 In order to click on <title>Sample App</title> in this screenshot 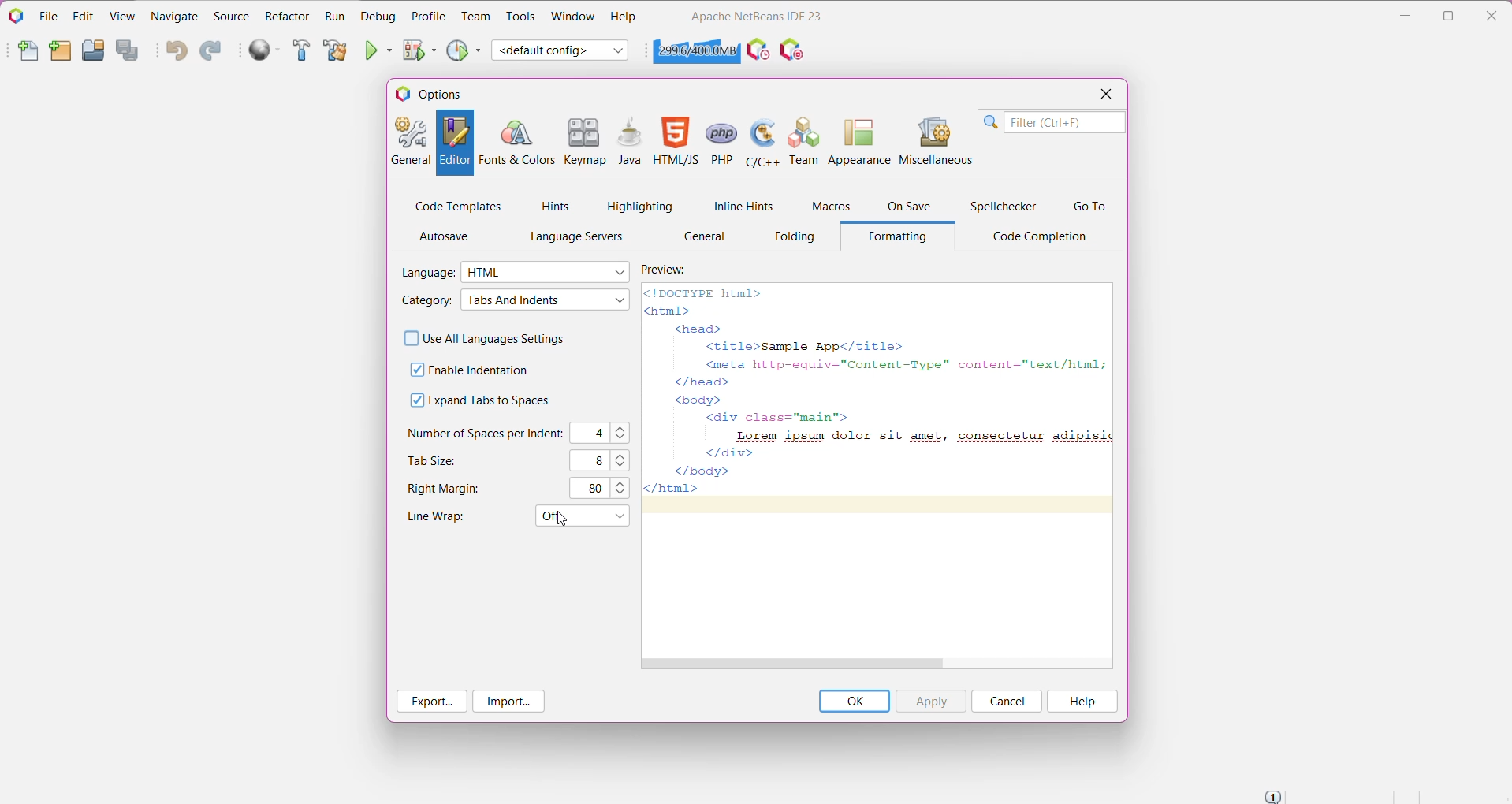, I will do `click(802, 345)`.